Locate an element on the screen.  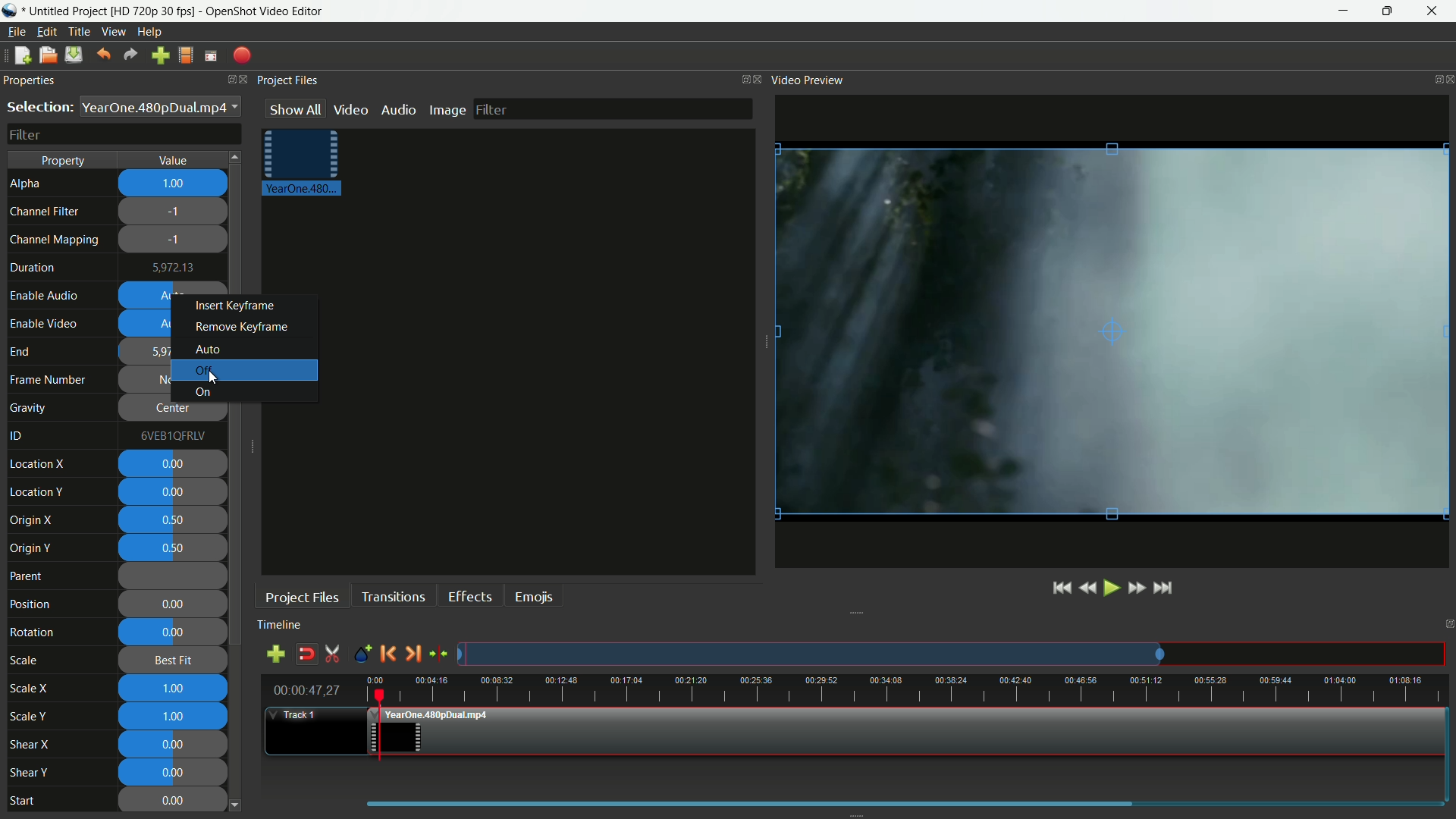
time is located at coordinates (911, 686).